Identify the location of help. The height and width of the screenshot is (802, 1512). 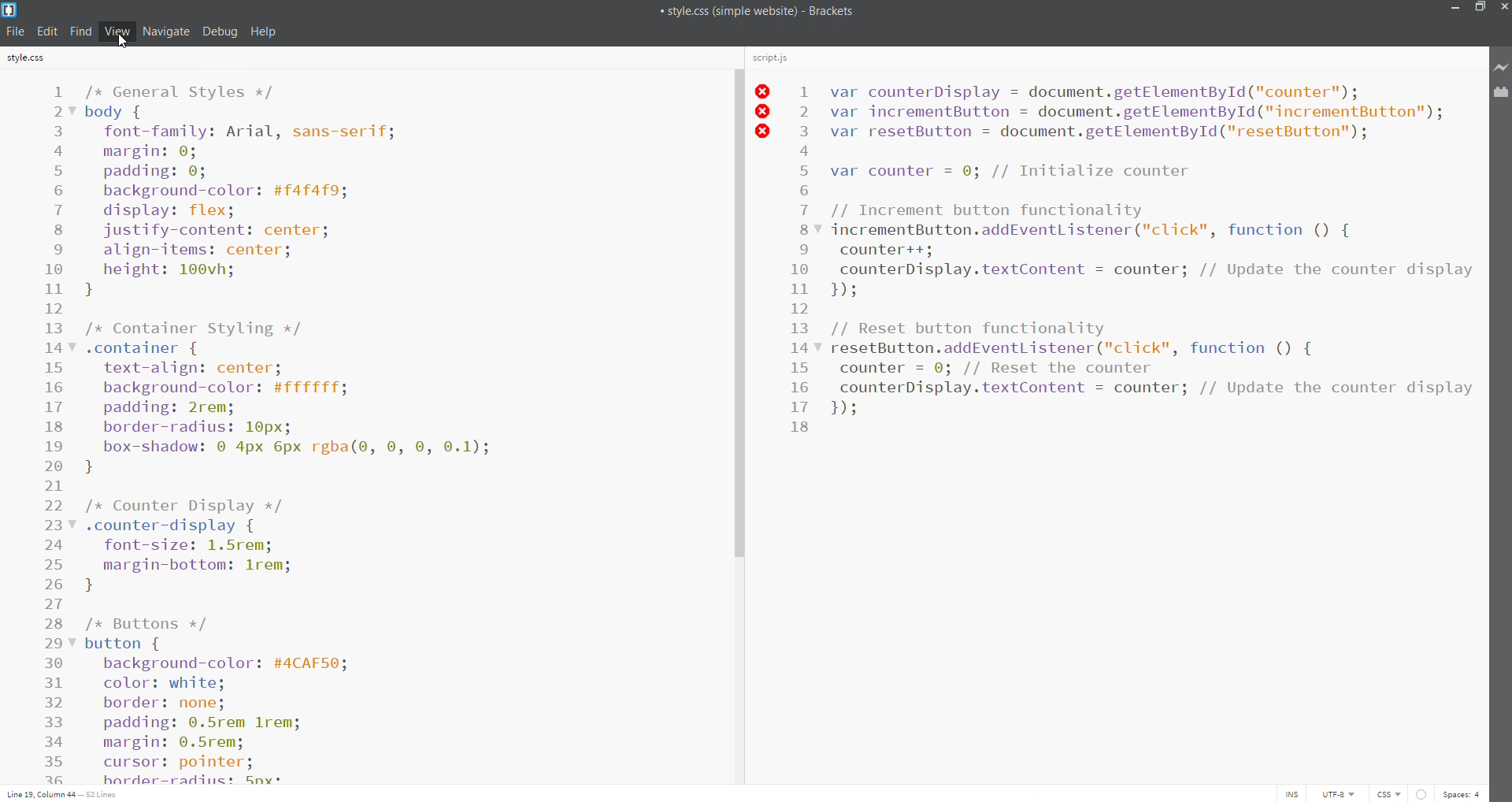
(265, 32).